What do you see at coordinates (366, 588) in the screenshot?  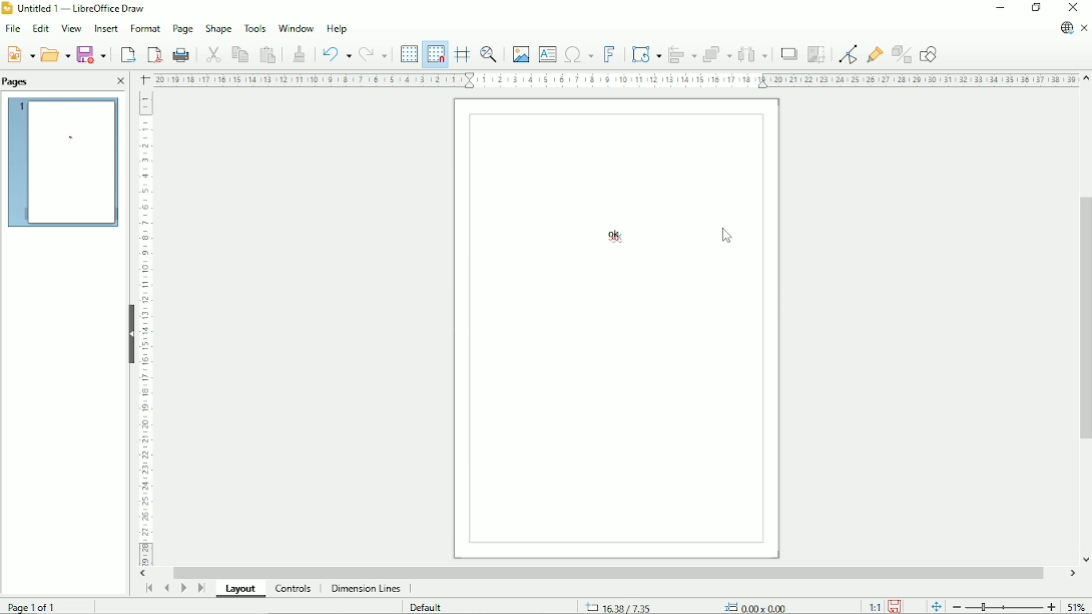 I see `Dimension lines` at bounding box center [366, 588].